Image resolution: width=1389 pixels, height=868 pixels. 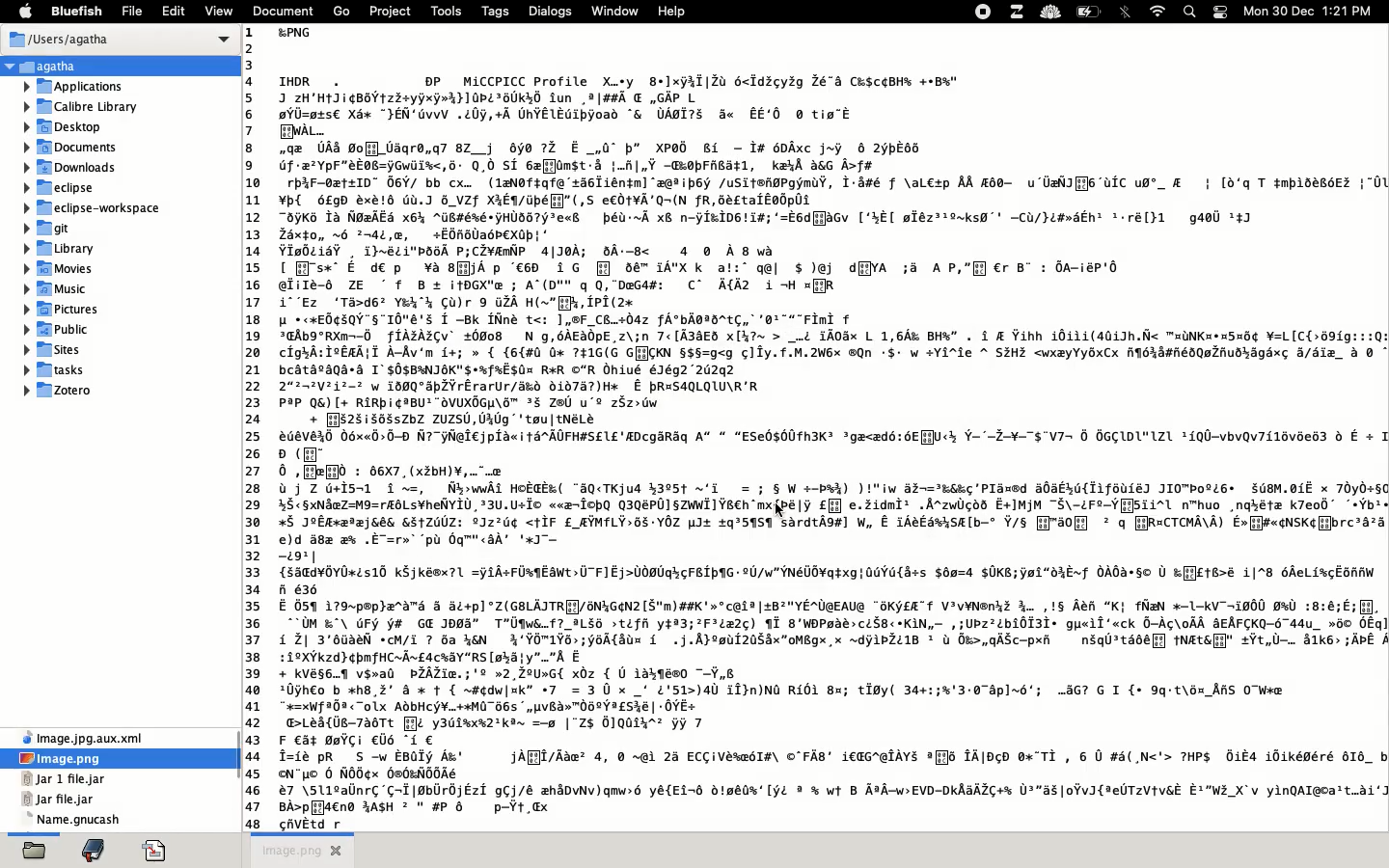 I want to click on pictures, so click(x=64, y=308).